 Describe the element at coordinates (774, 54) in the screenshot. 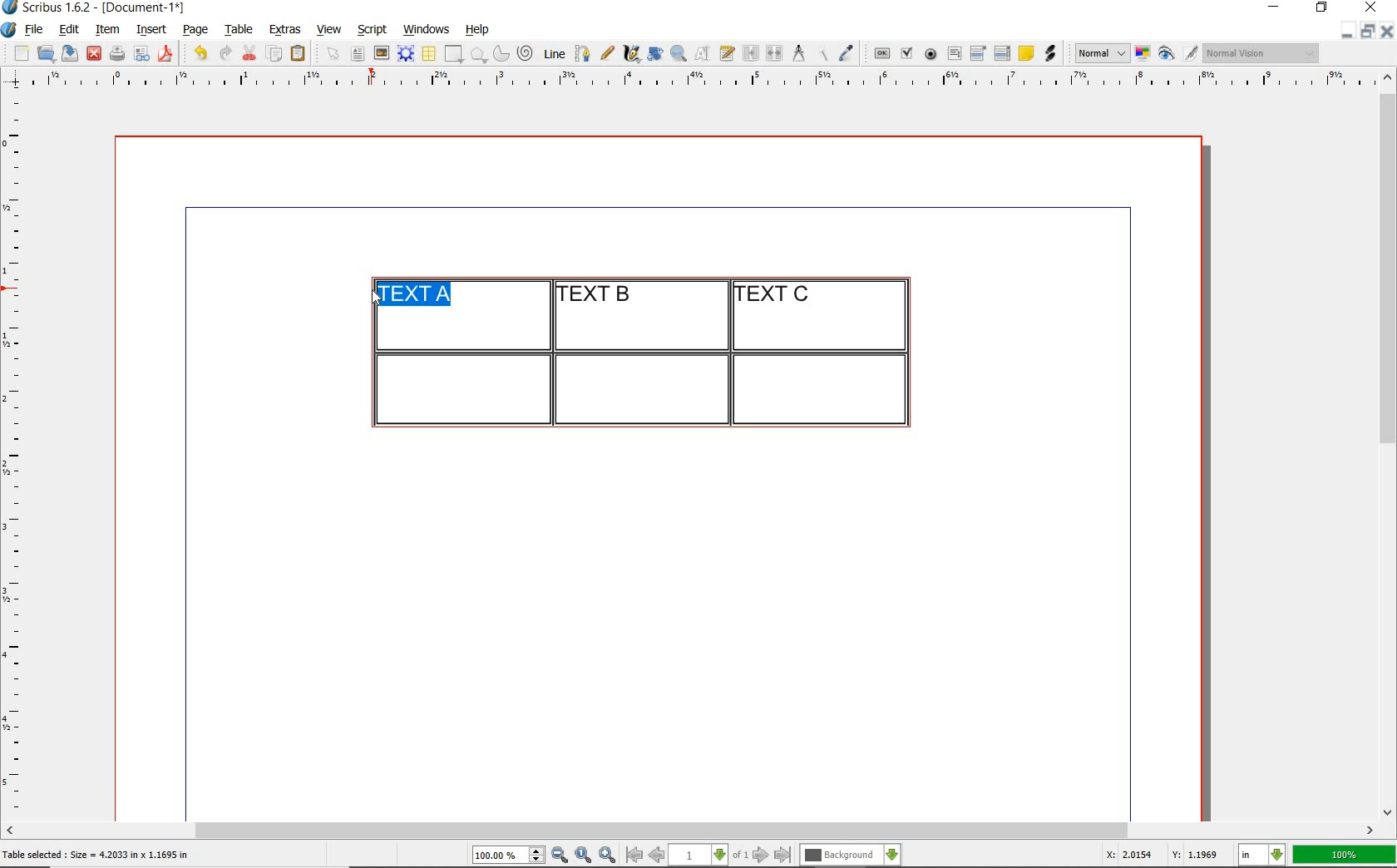

I see `unlink text frames` at that location.